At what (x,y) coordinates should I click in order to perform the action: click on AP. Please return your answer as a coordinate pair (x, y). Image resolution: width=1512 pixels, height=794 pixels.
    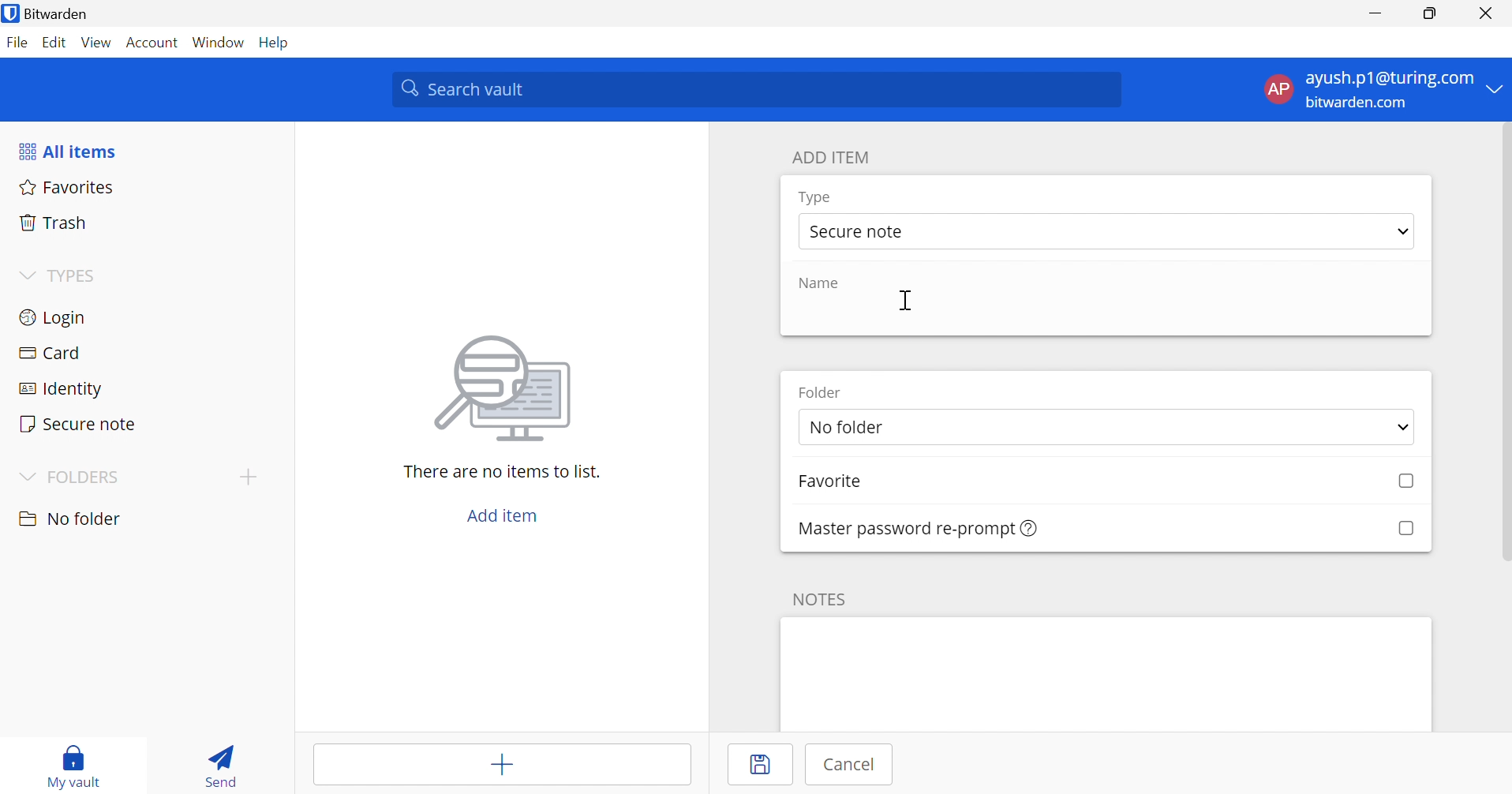
    Looking at the image, I should click on (1276, 88).